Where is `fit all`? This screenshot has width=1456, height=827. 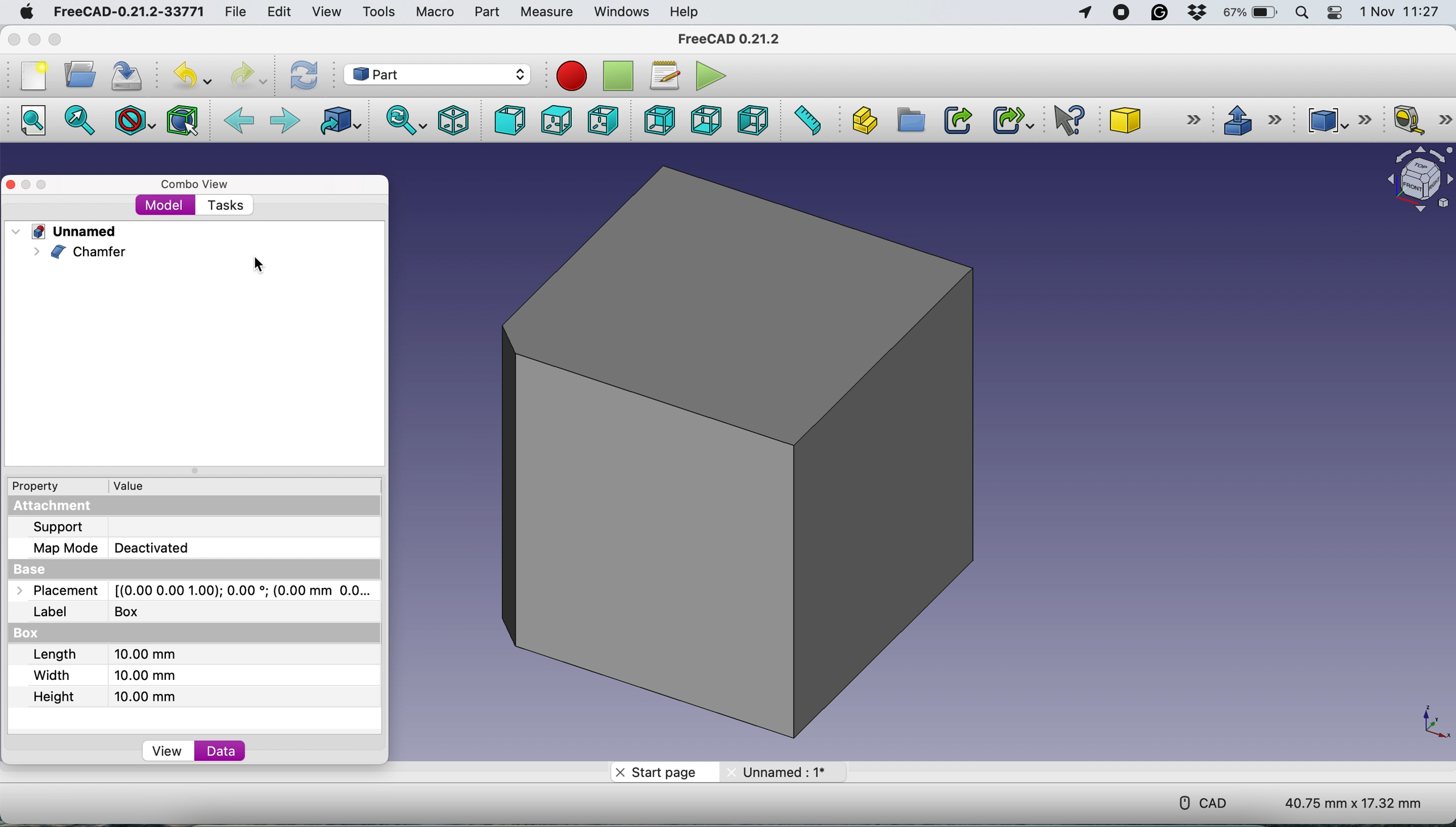
fit all is located at coordinates (36, 120).